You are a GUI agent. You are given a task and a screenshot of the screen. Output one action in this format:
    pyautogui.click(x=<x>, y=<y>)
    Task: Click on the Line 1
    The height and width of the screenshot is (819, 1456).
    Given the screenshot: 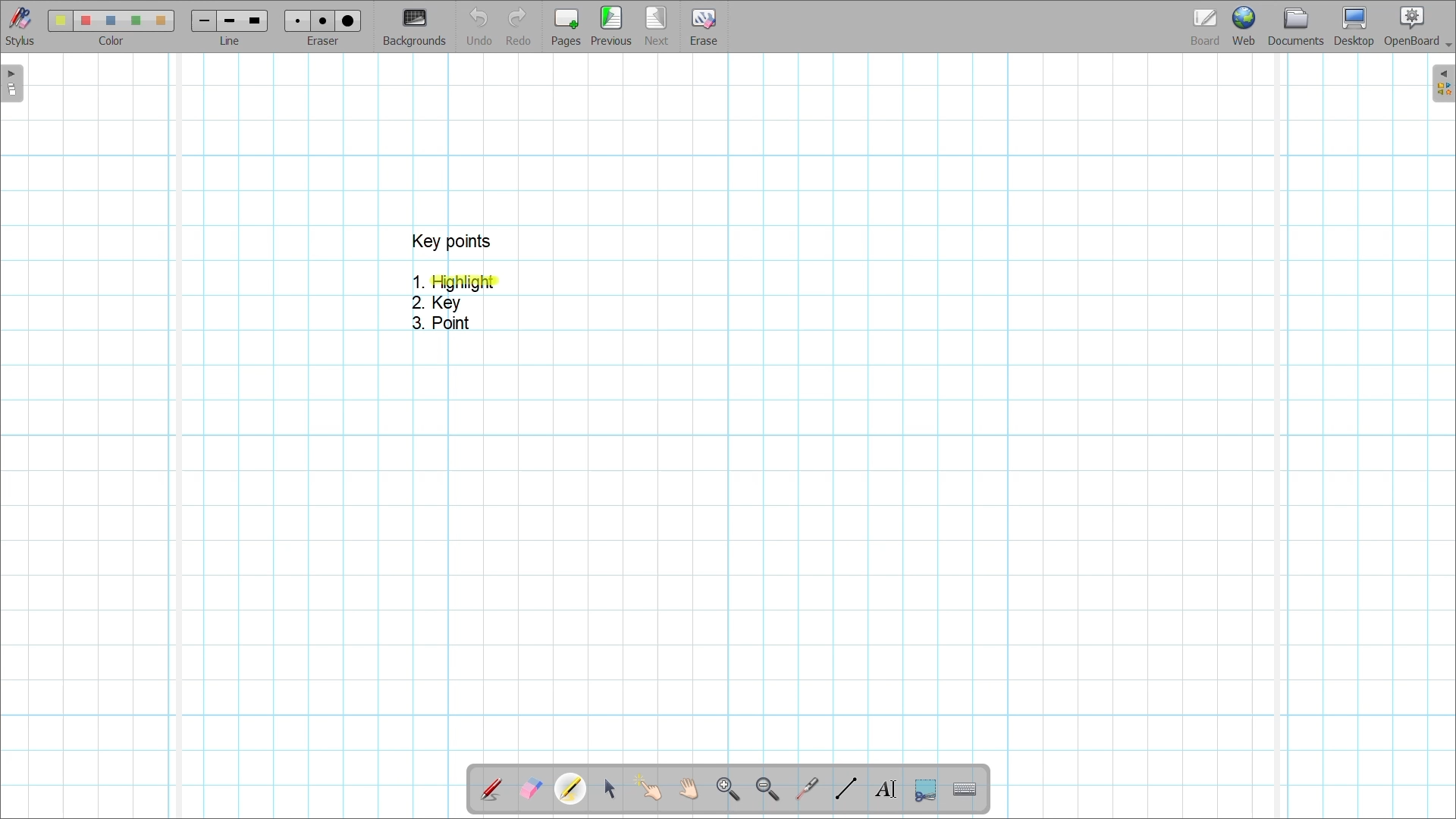 What is the action you would take?
    pyautogui.click(x=202, y=20)
    